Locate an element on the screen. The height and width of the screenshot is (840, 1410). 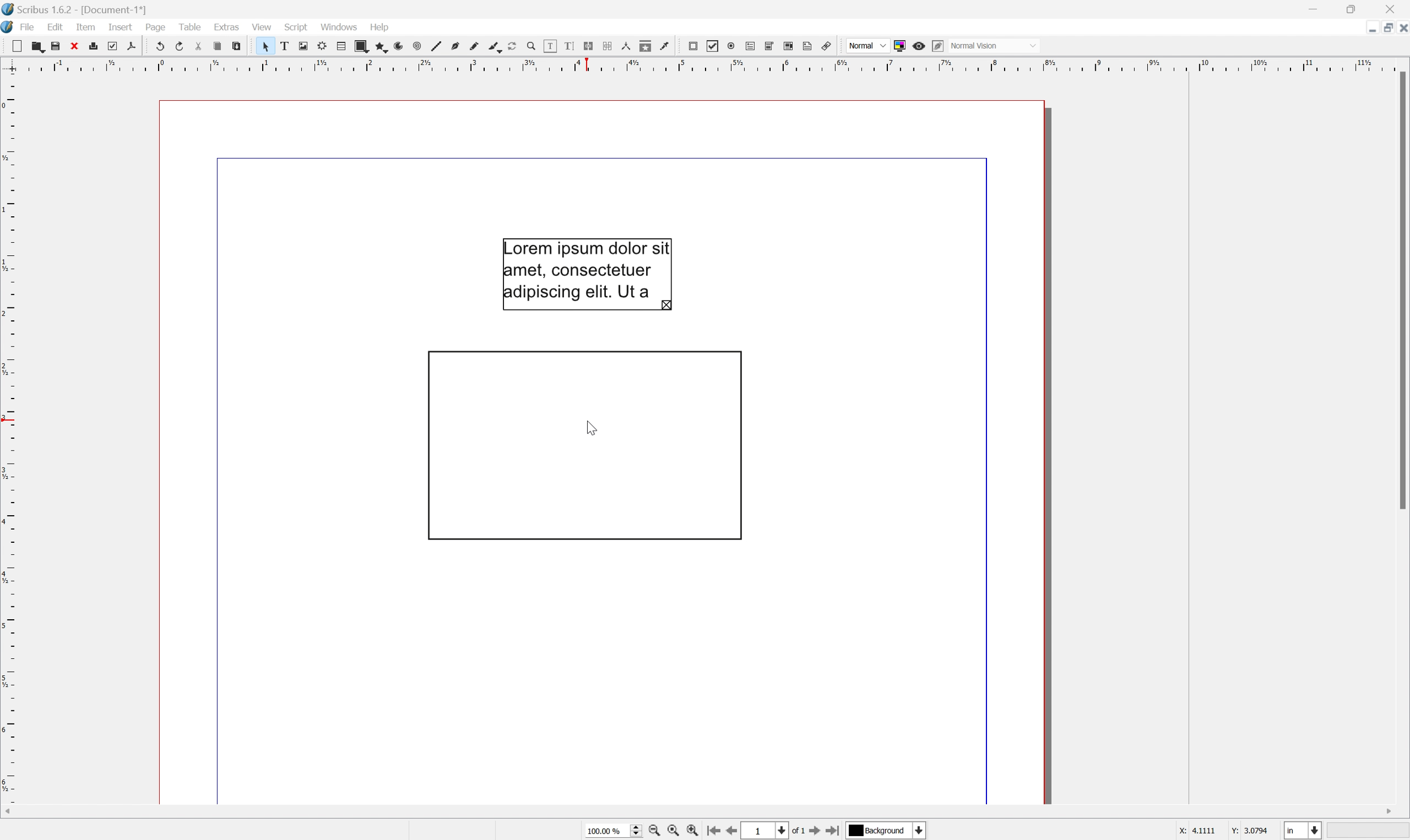
Table is located at coordinates (341, 45).